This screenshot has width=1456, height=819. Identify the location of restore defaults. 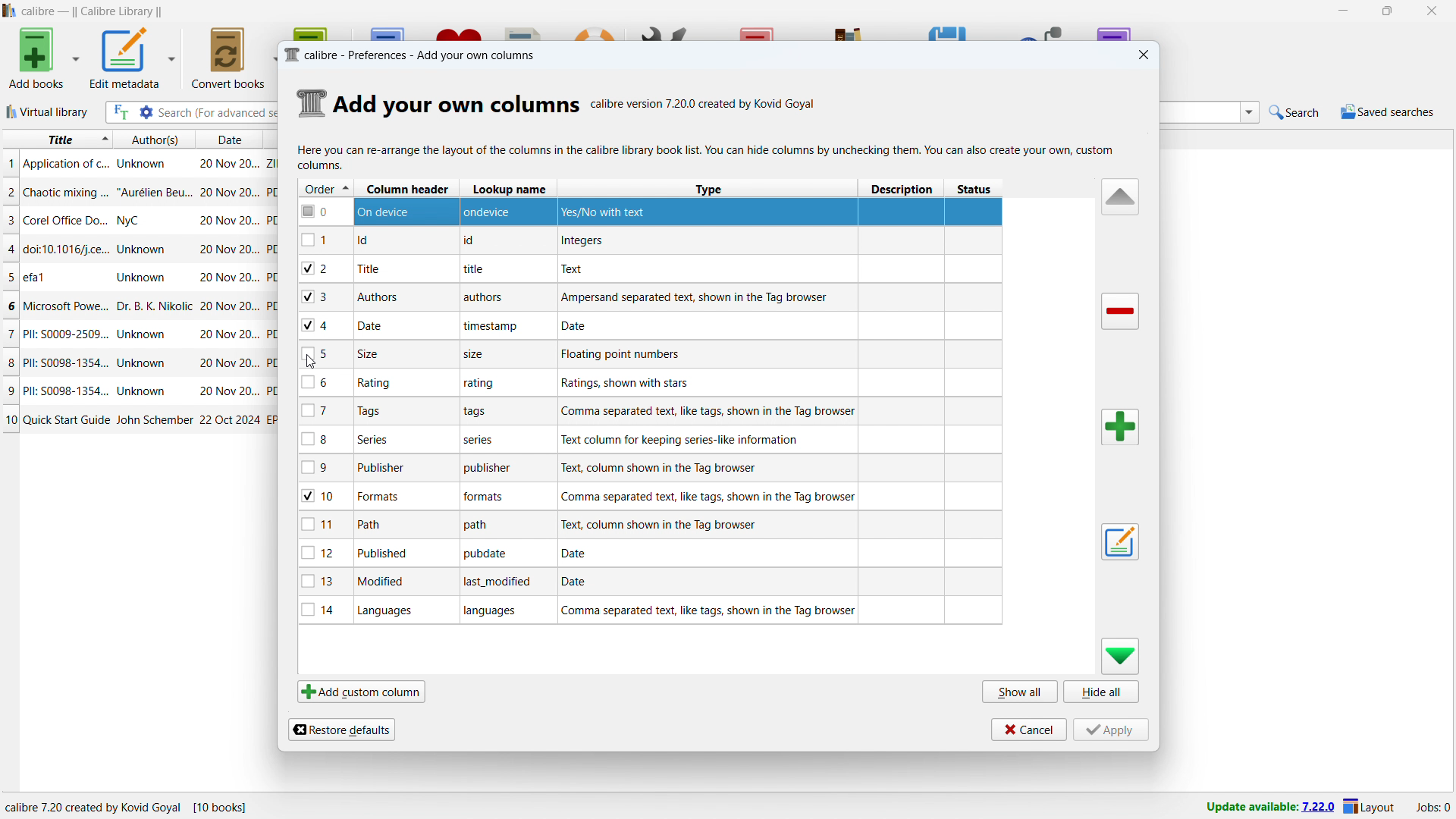
(341, 728).